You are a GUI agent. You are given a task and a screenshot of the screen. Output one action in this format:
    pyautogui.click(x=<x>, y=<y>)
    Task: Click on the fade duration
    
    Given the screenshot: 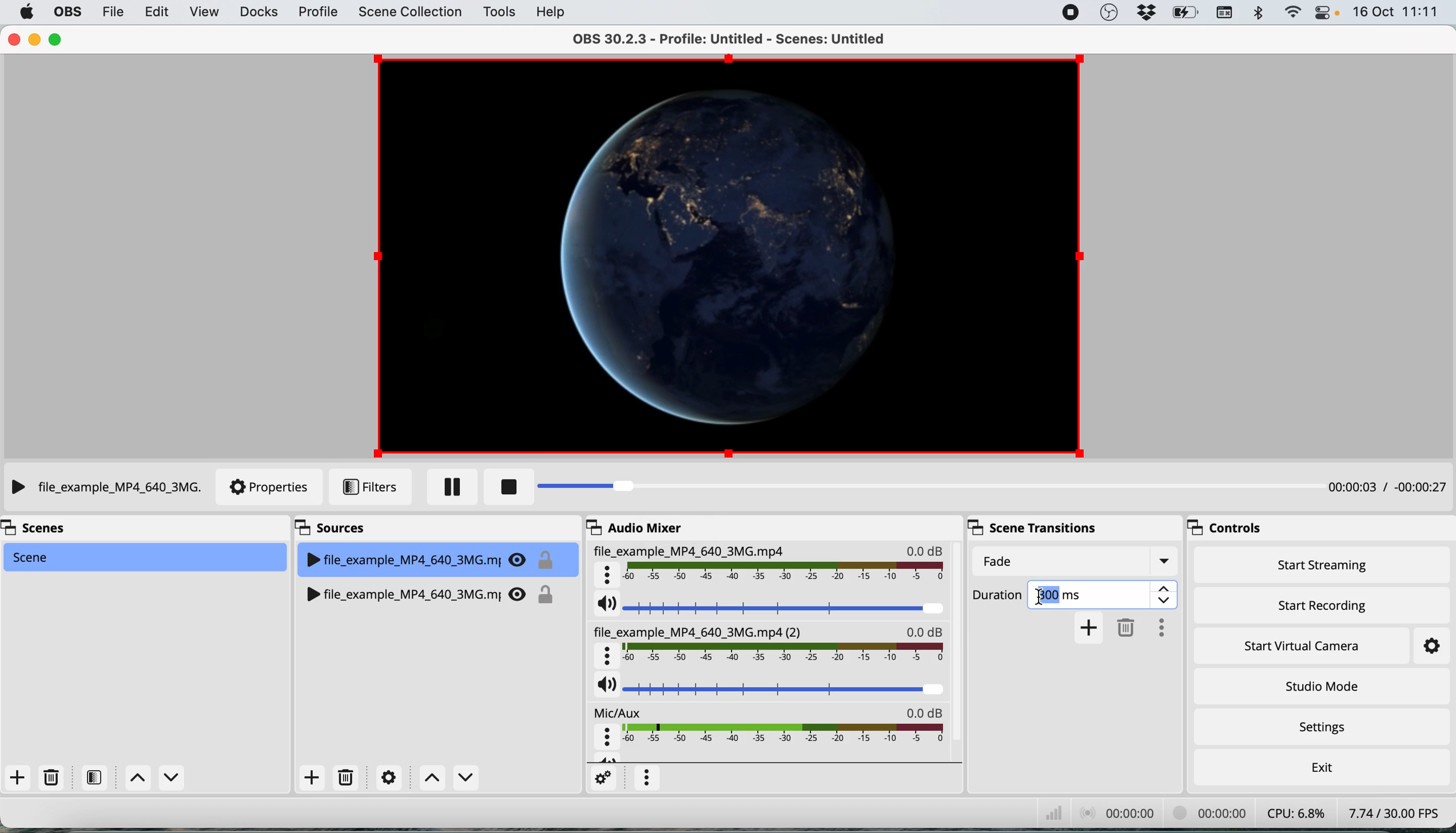 What is the action you would take?
    pyautogui.click(x=1075, y=560)
    